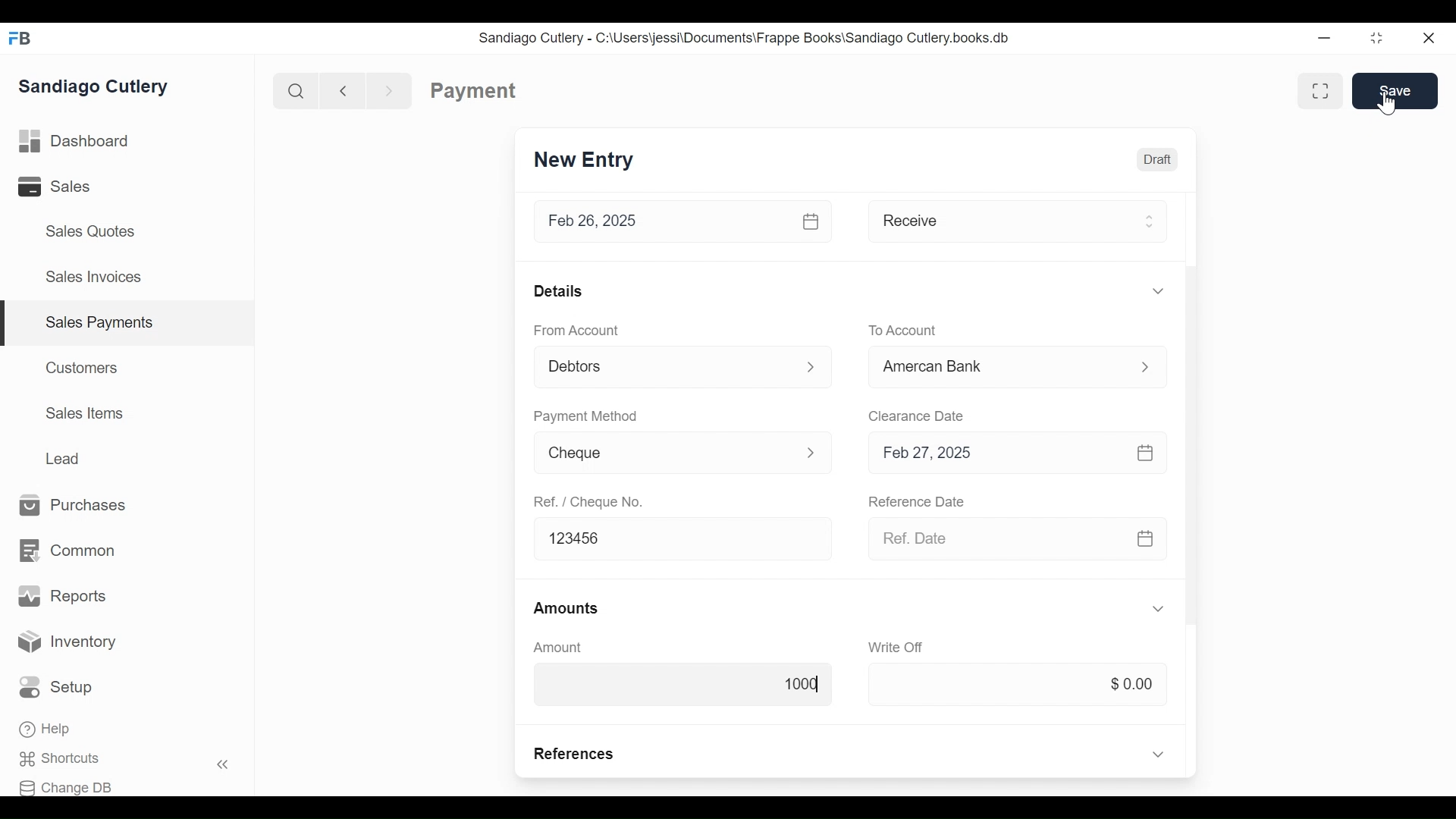 The height and width of the screenshot is (819, 1456). What do you see at coordinates (558, 647) in the screenshot?
I see `Amount` at bounding box center [558, 647].